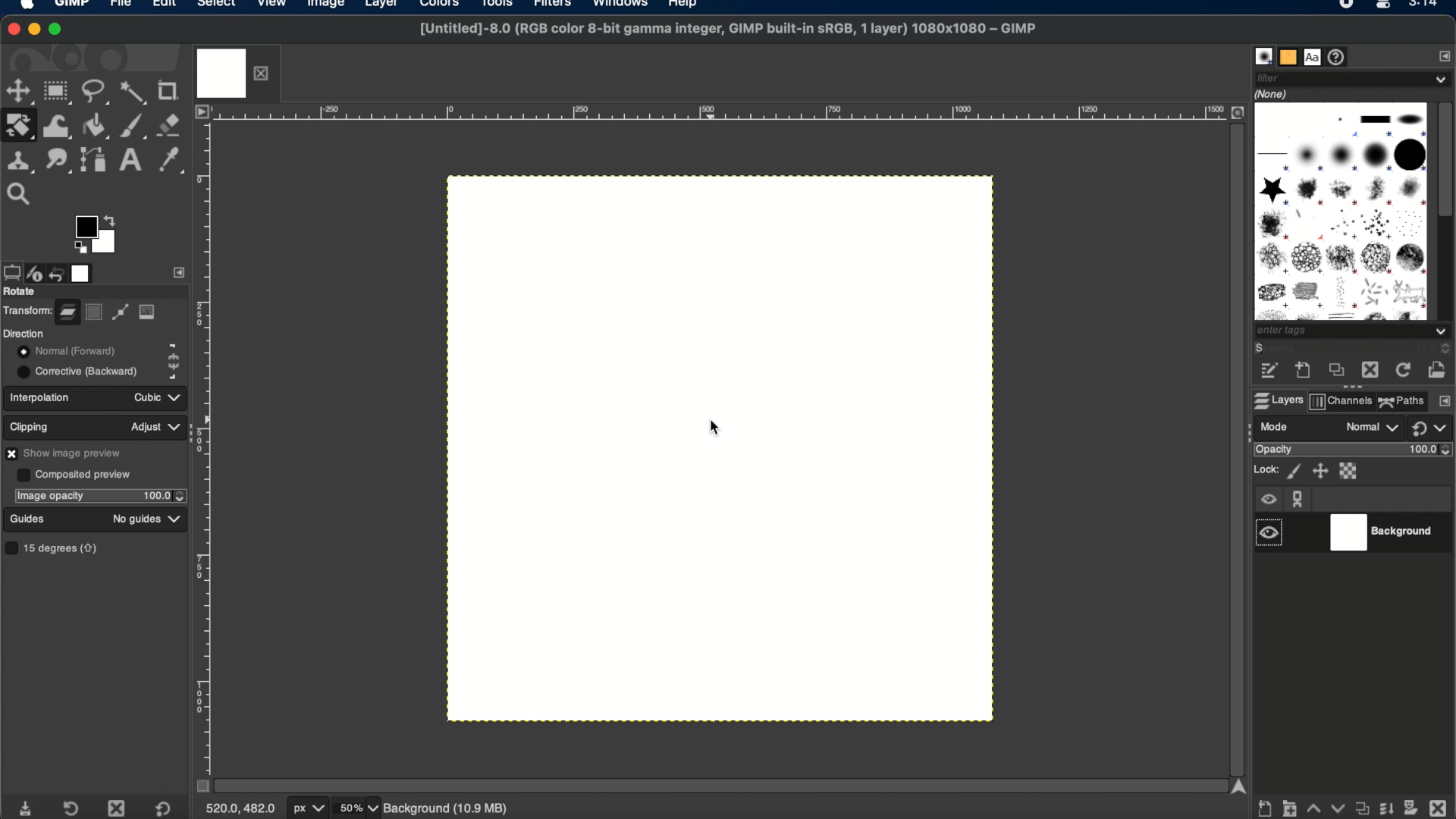  Describe the element at coordinates (1354, 332) in the screenshot. I see `tags dropdown` at that location.